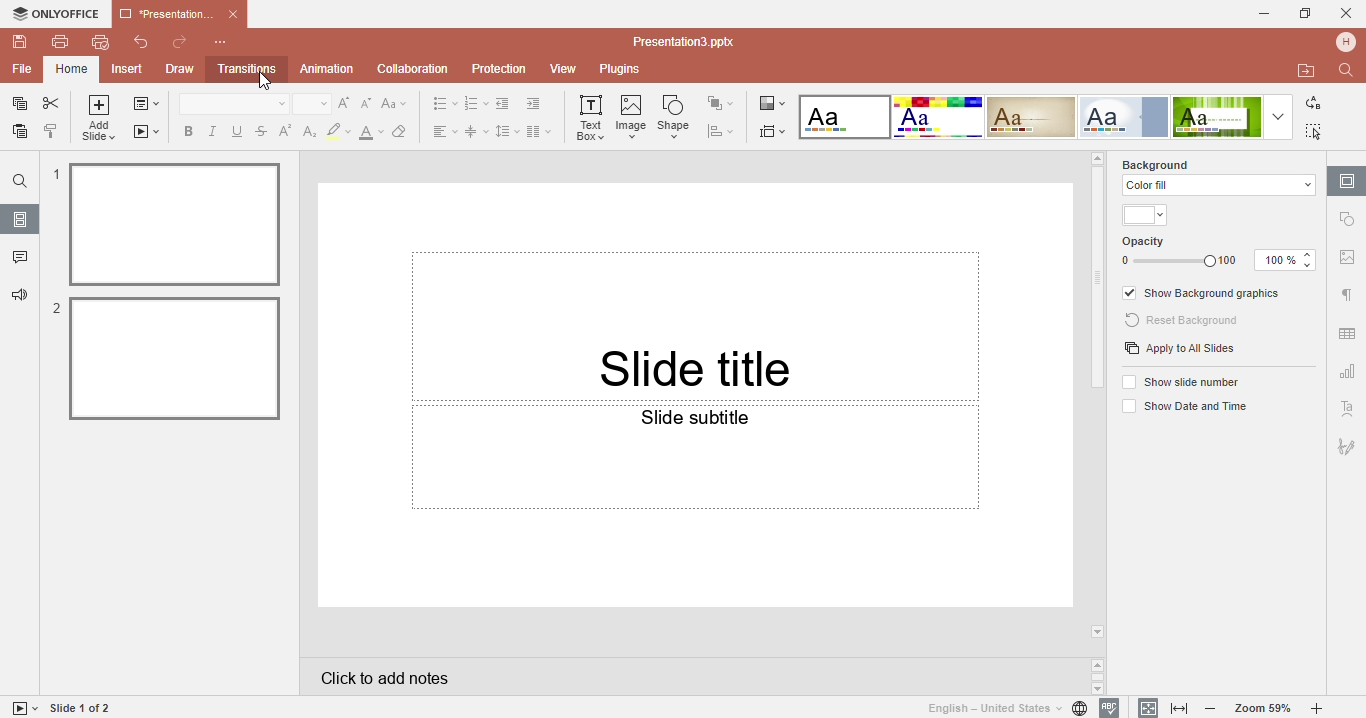 The image size is (1366, 718). I want to click on Horizontal align, so click(442, 130).